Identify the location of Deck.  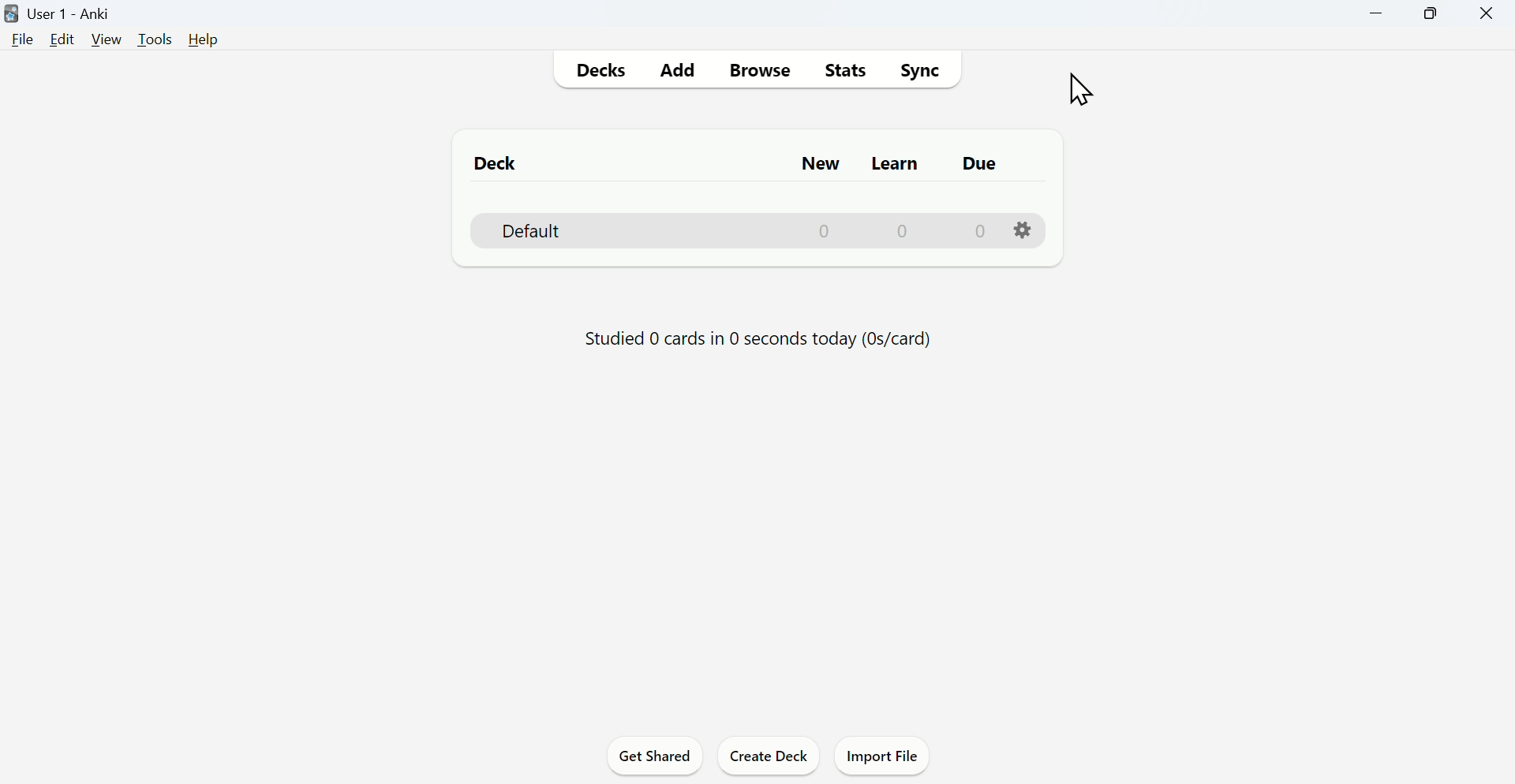
(762, 230).